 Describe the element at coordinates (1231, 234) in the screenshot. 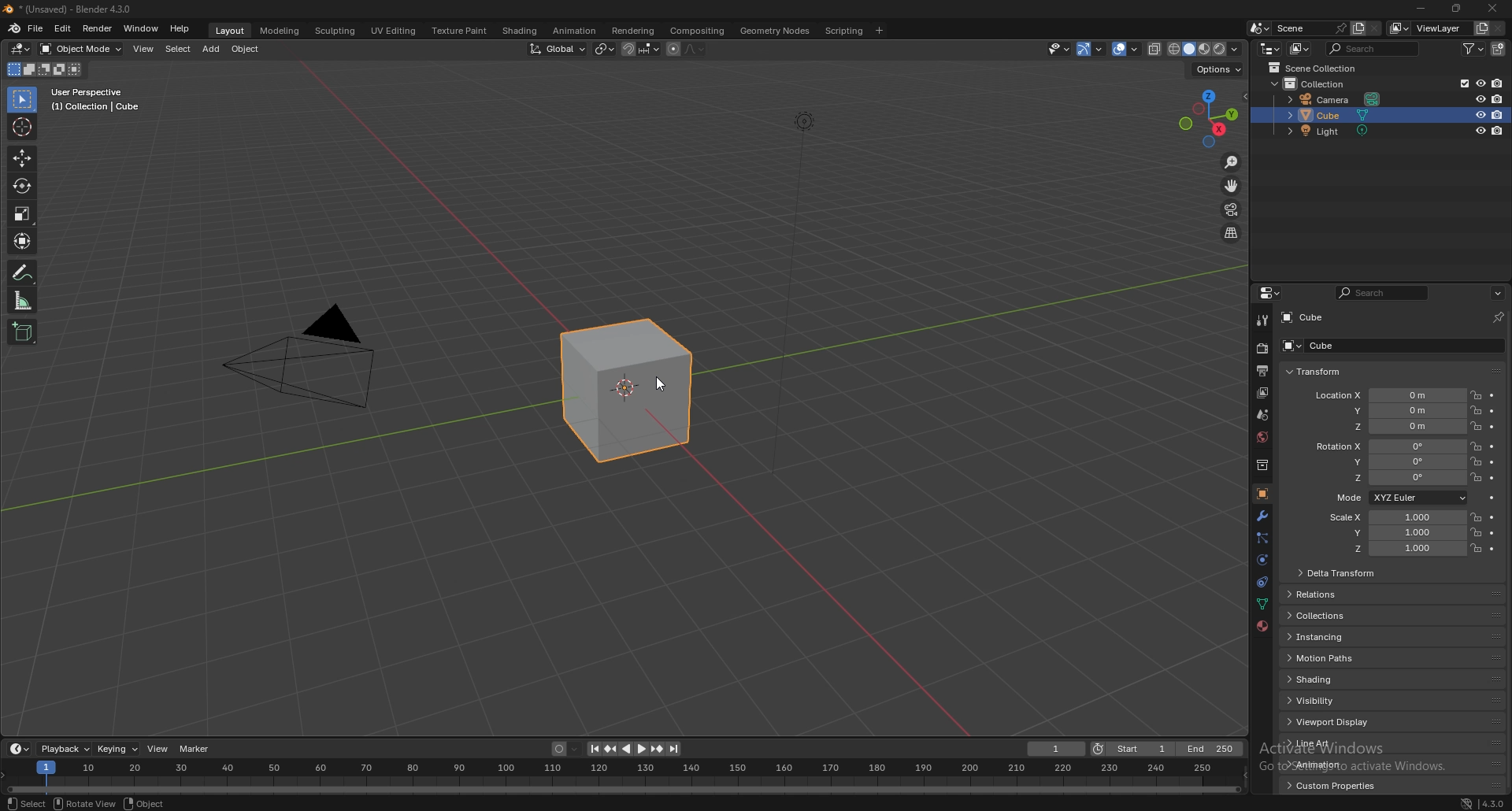

I see `switch to perspective/orthographic` at that location.